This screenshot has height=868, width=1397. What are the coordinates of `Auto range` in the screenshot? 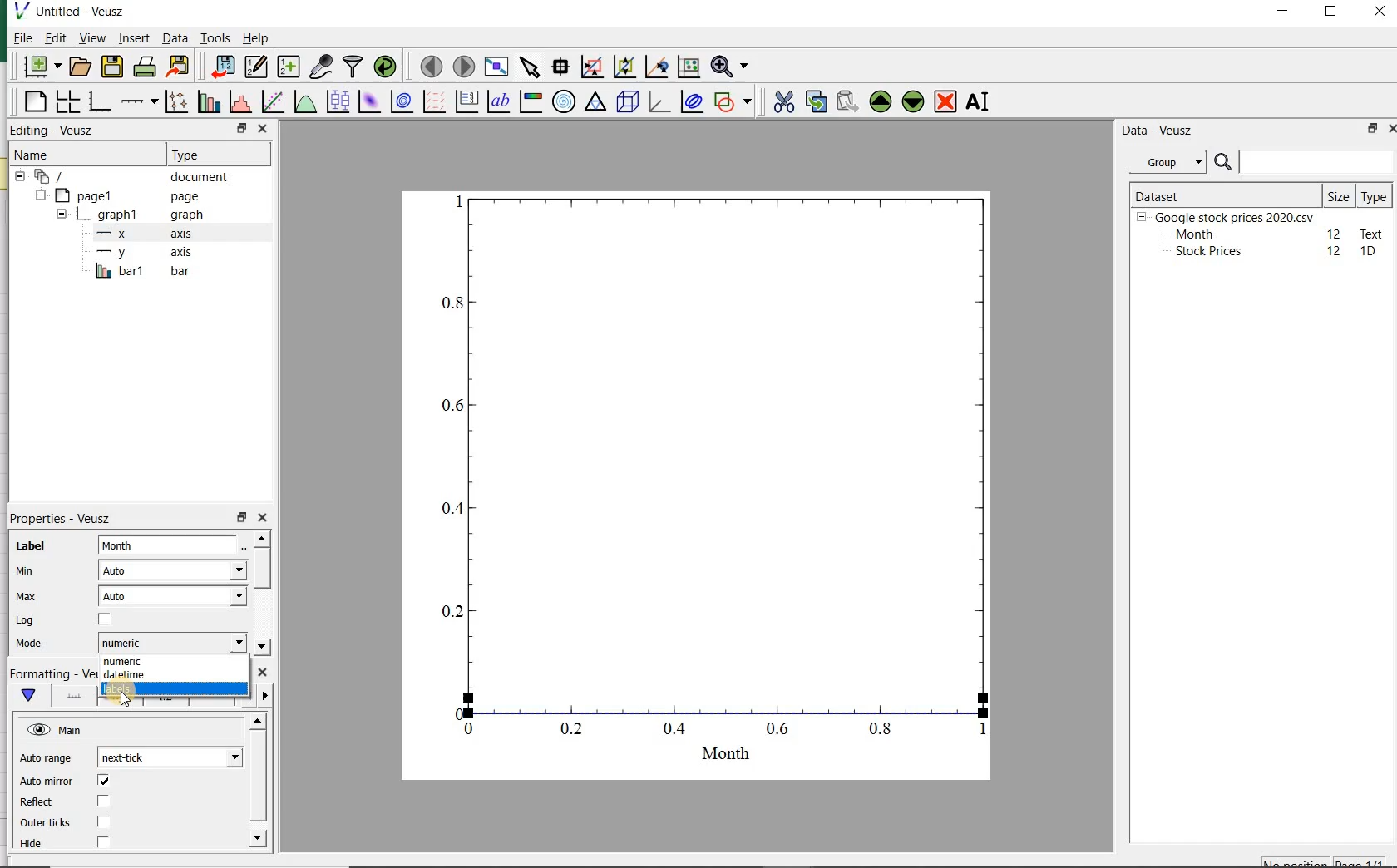 It's located at (46, 759).